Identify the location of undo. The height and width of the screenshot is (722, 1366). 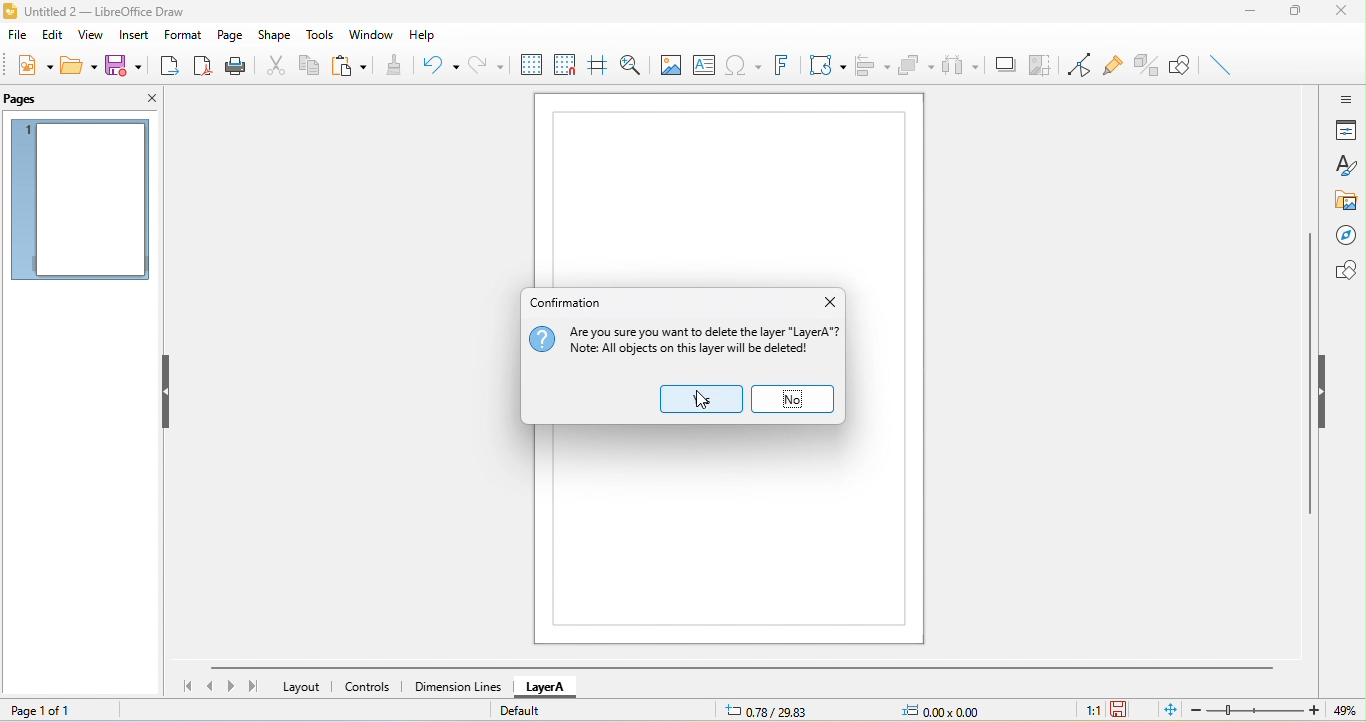
(435, 66).